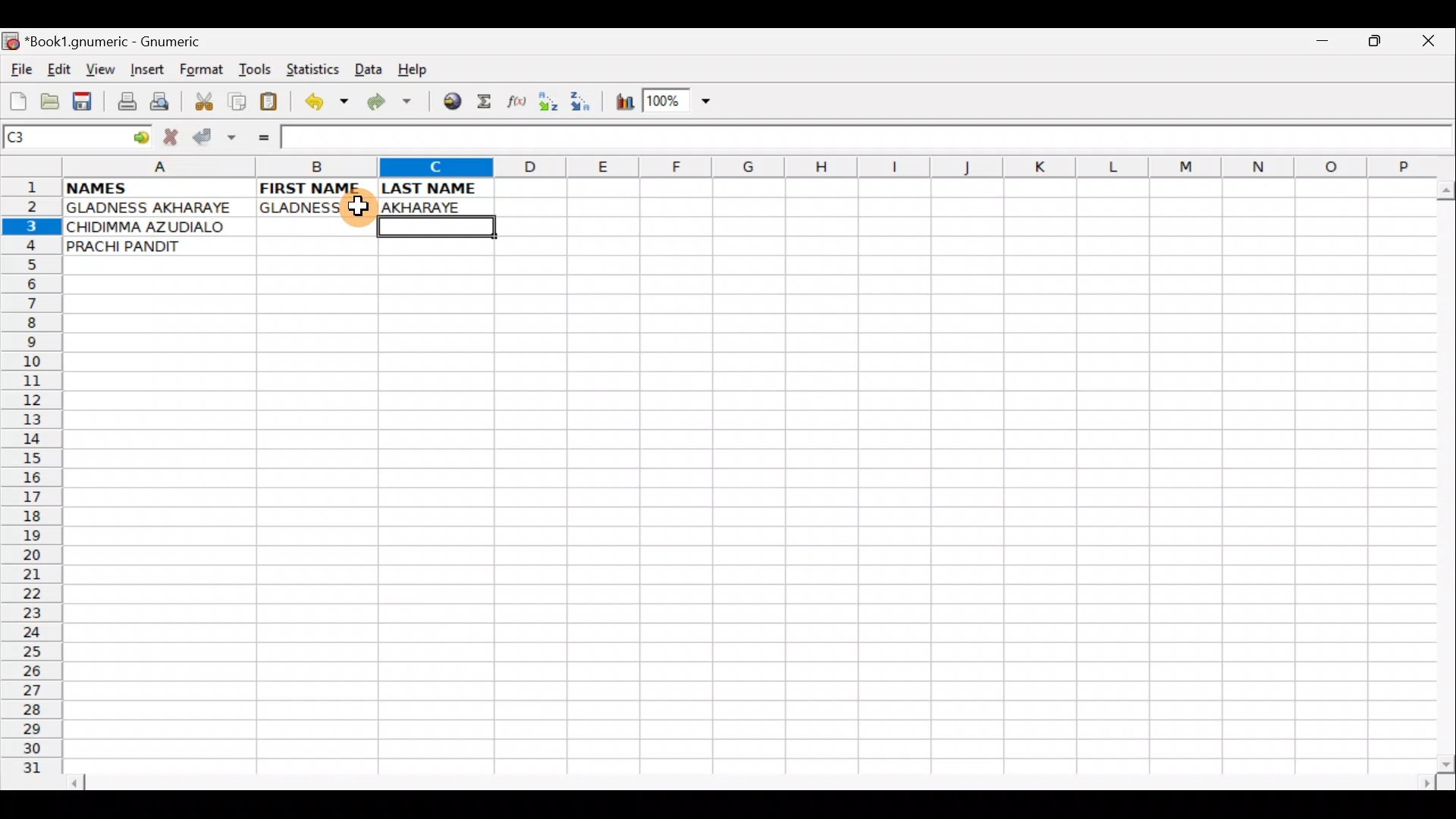  Describe the element at coordinates (317, 68) in the screenshot. I see `Statistics` at that location.